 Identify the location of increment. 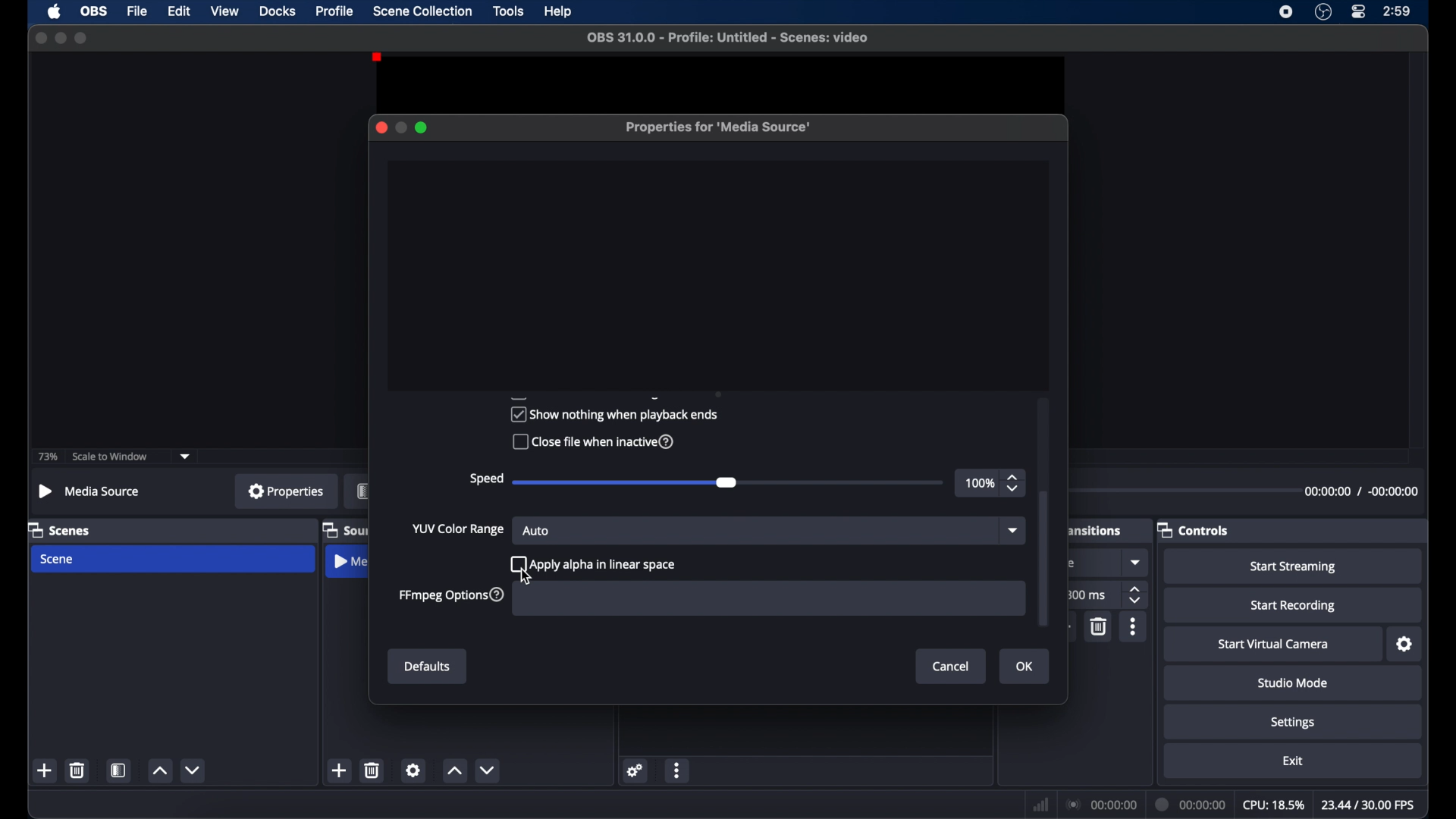
(160, 771).